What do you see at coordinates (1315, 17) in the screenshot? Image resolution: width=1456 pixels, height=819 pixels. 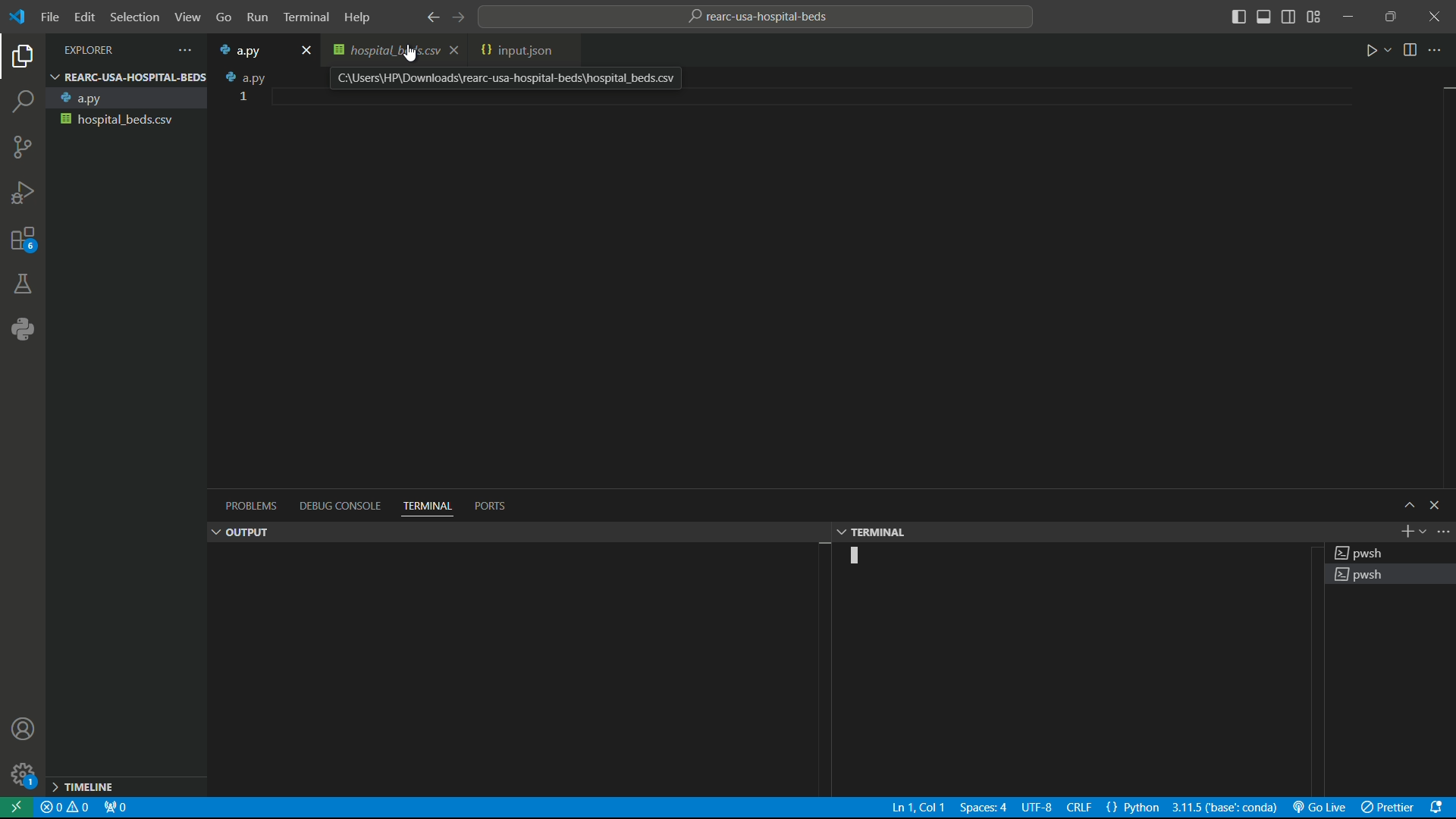 I see `customize layout` at bounding box center [1315, 17].